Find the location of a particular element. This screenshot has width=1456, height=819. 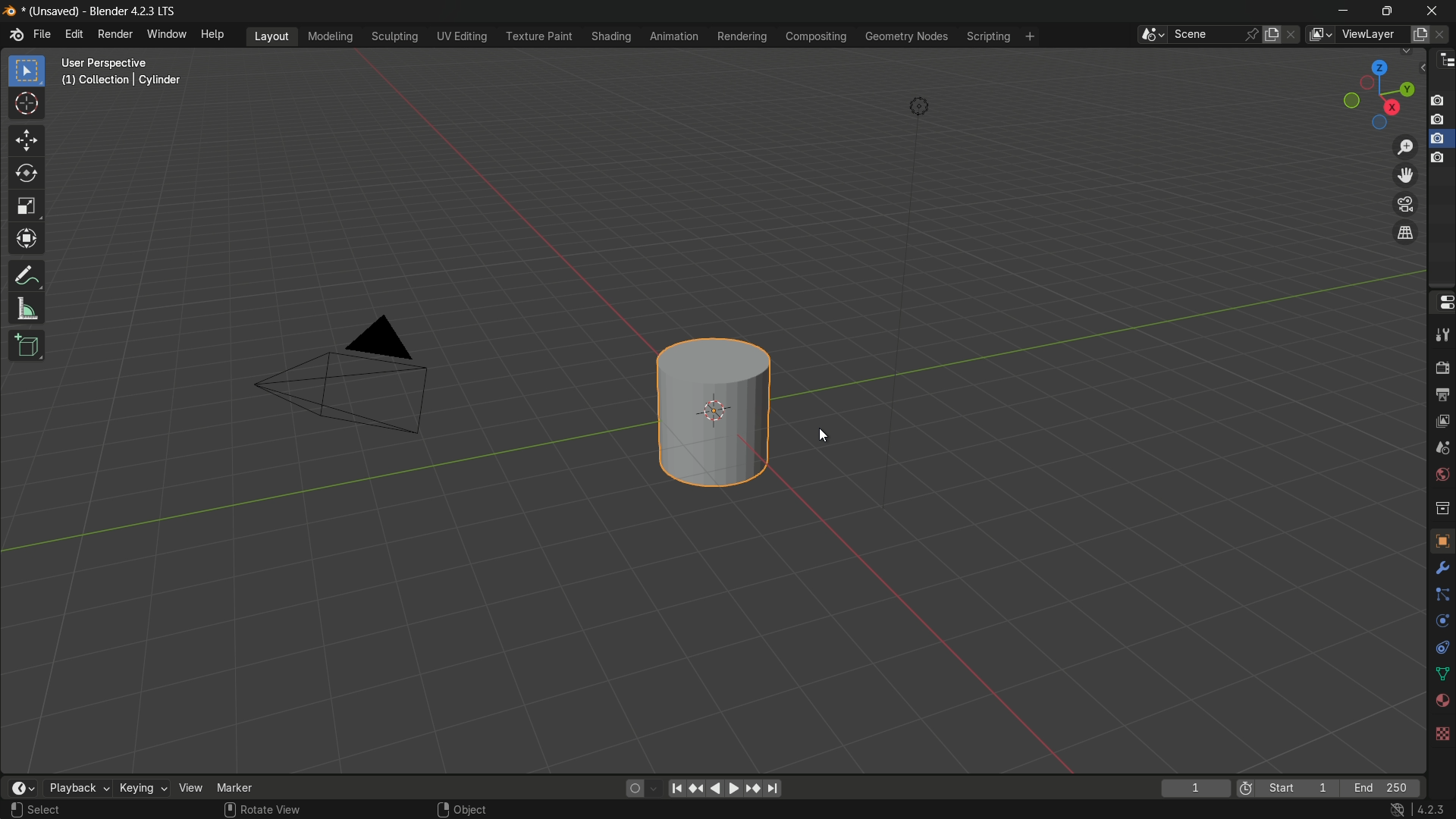

render is located at coordinates (1441, 369).